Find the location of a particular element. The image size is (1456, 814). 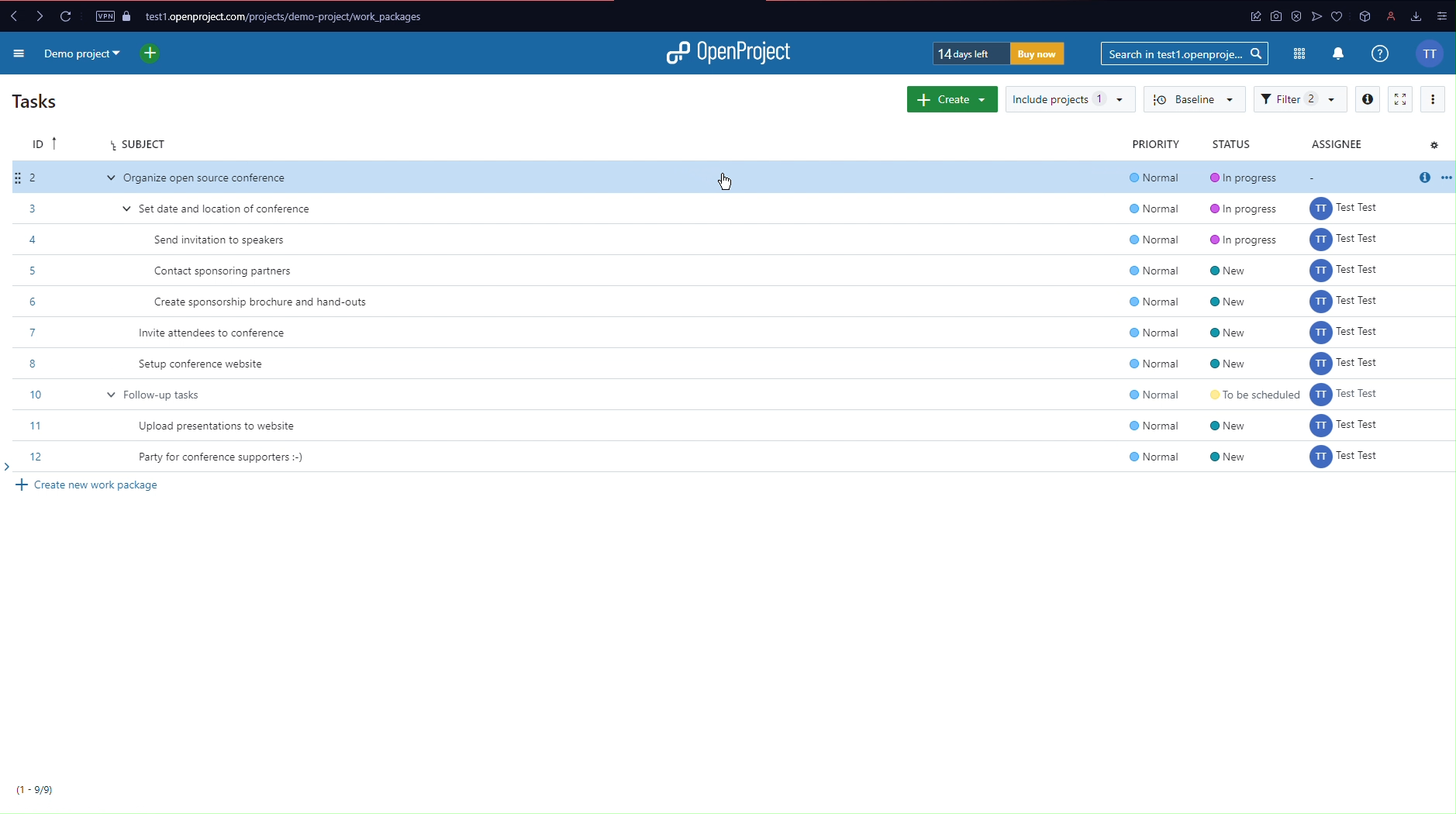

ID is located at coordinates (45, 143).